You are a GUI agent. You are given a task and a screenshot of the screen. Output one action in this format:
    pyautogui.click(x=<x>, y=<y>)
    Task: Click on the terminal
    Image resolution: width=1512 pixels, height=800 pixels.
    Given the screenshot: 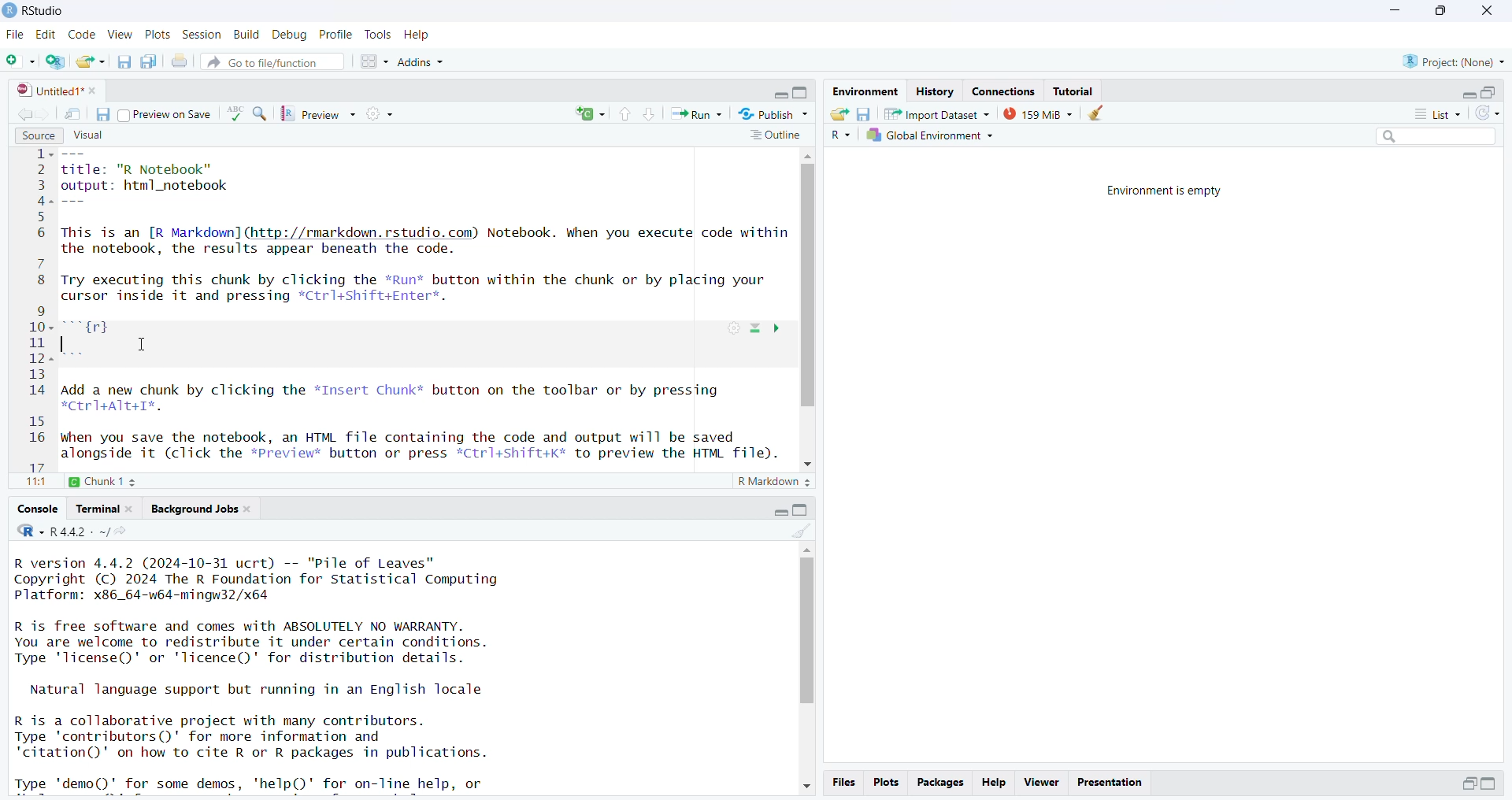 What is the action you would take?
    pyautogui.click(x=106, y=508)
    